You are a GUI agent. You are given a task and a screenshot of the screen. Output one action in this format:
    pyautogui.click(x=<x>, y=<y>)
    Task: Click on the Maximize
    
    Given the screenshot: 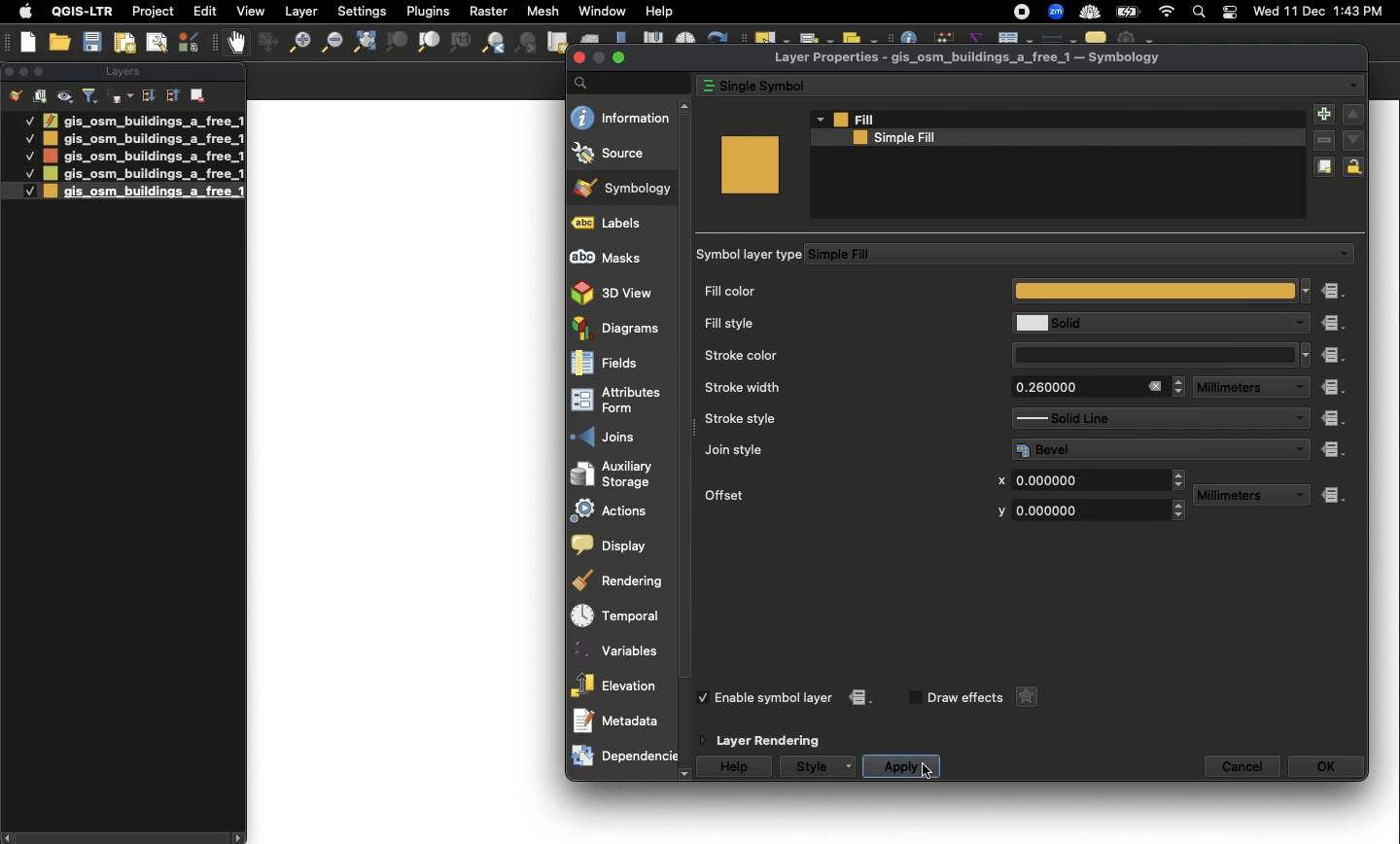 What is the action you would take?
    pyautogui.click(x=43, y=71)
    